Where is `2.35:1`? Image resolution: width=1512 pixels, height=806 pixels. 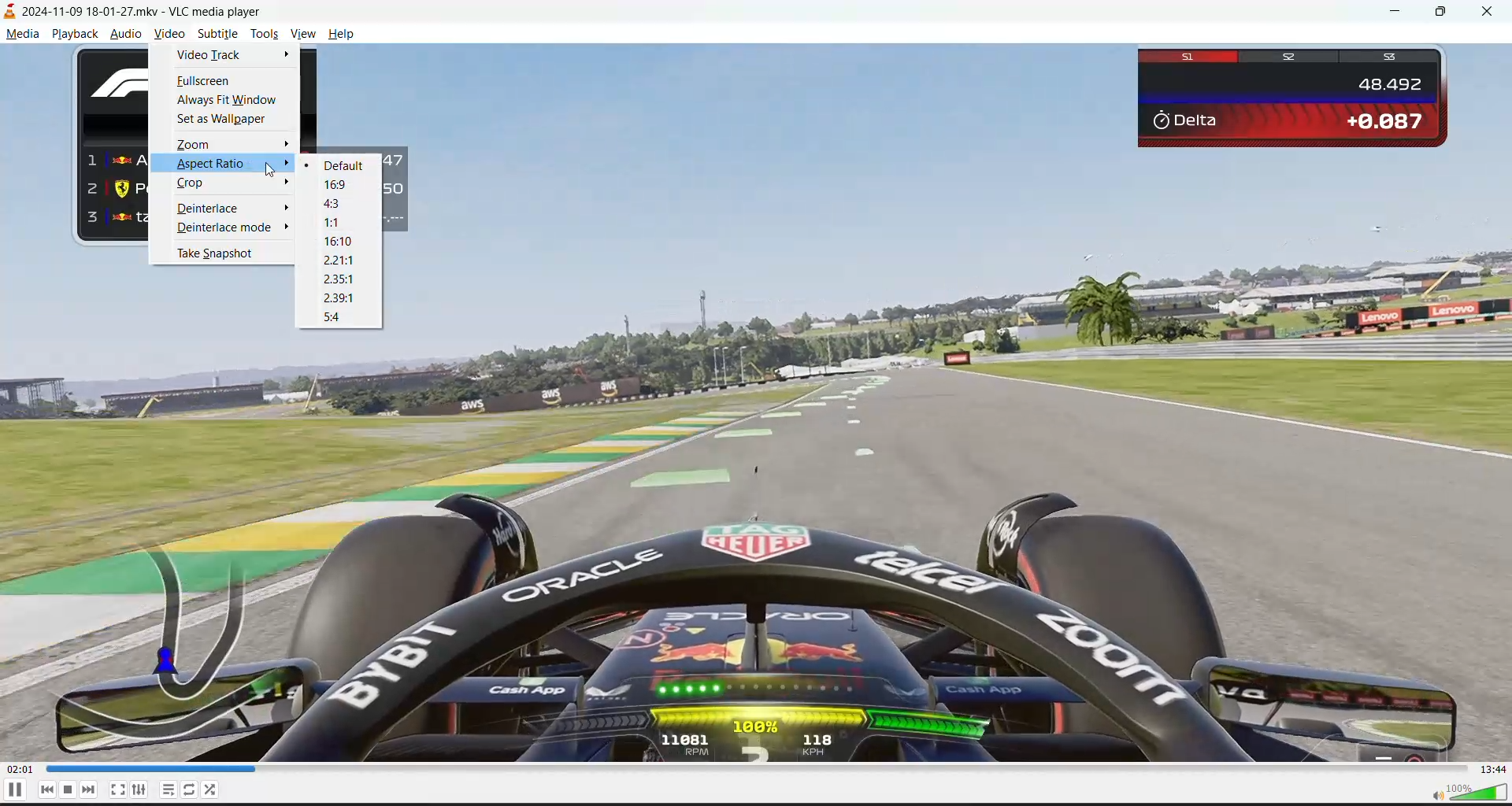 2.35:1 is located at coordinates (339, 280).